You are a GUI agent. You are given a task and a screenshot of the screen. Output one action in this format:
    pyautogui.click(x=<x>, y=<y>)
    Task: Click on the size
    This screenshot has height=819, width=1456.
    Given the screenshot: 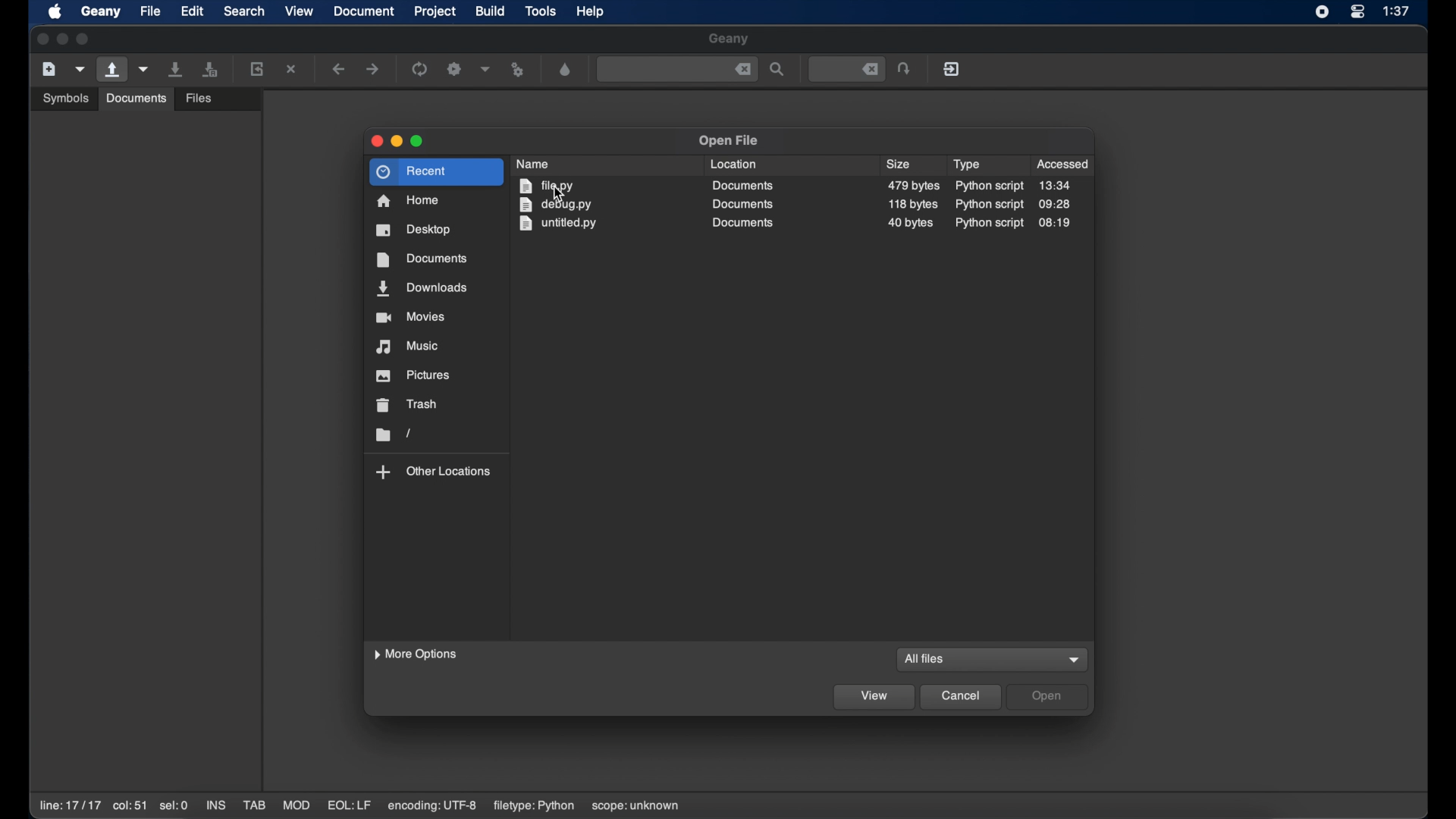 What is the action you would take?
    pyautogui.click(x=900, y=165)
    